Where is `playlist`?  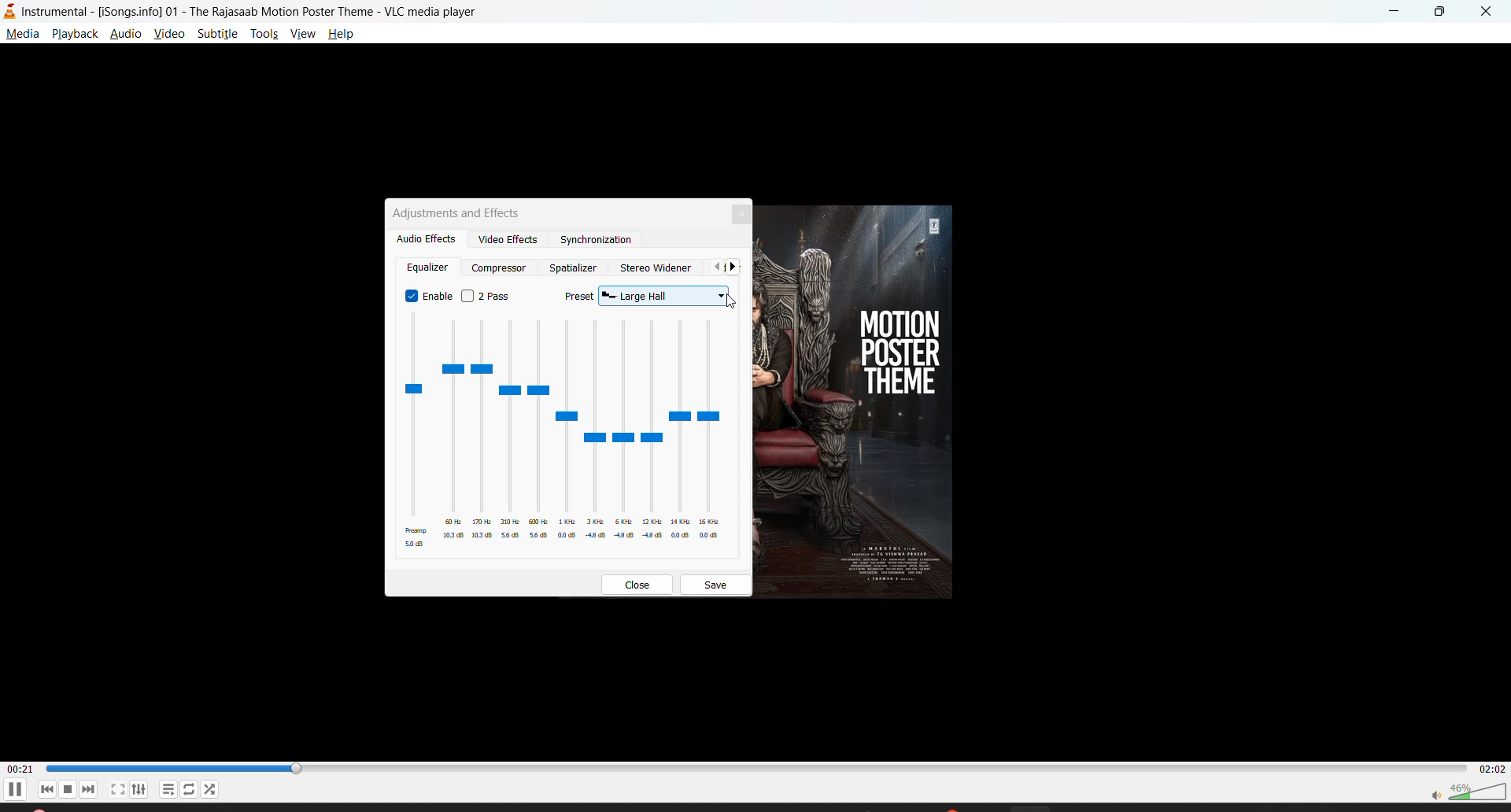 playlist is located at coordinates (168, 788).